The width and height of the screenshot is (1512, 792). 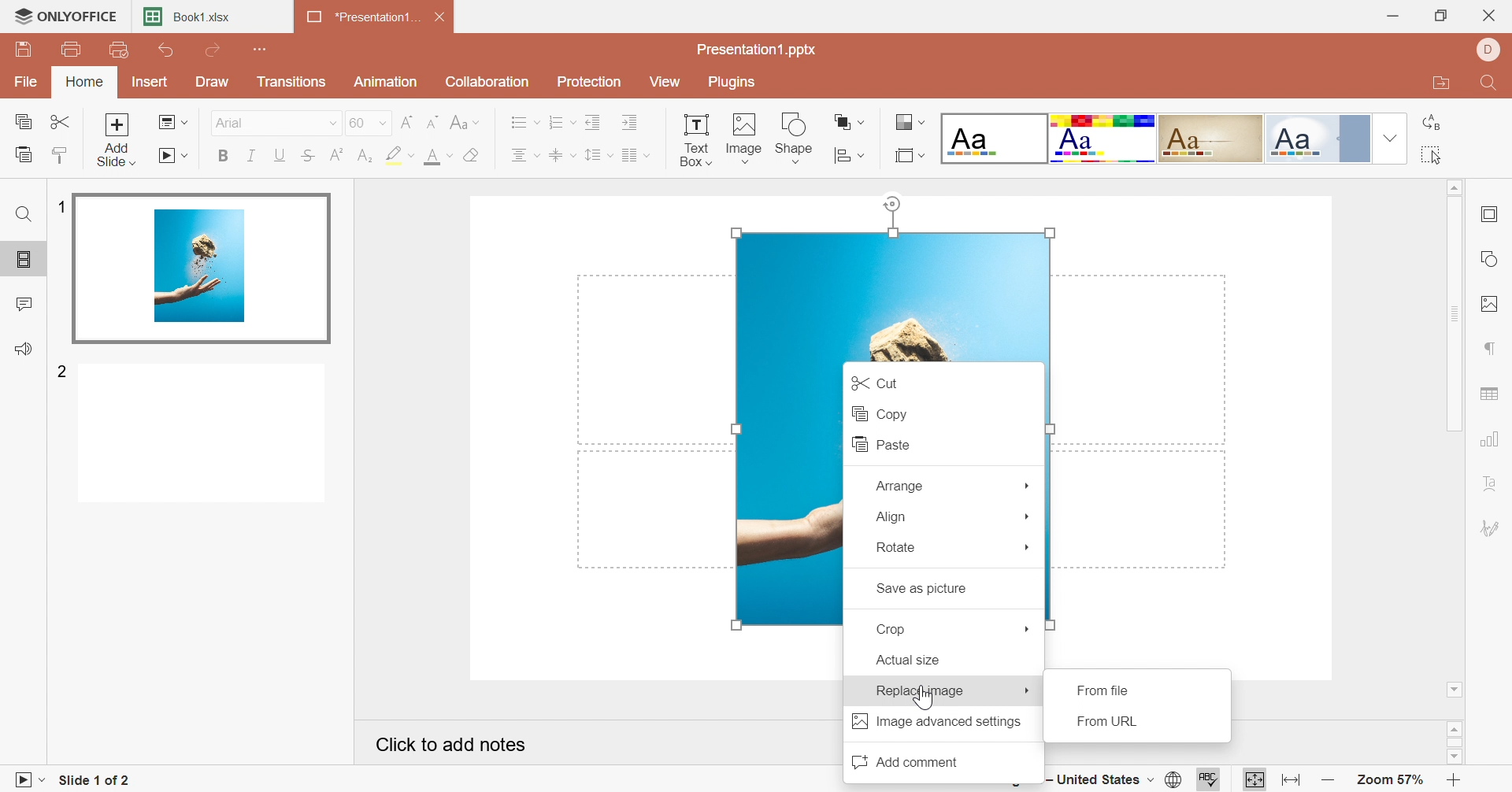 I want to click on Text art settings, so click(x=1493, y=483).